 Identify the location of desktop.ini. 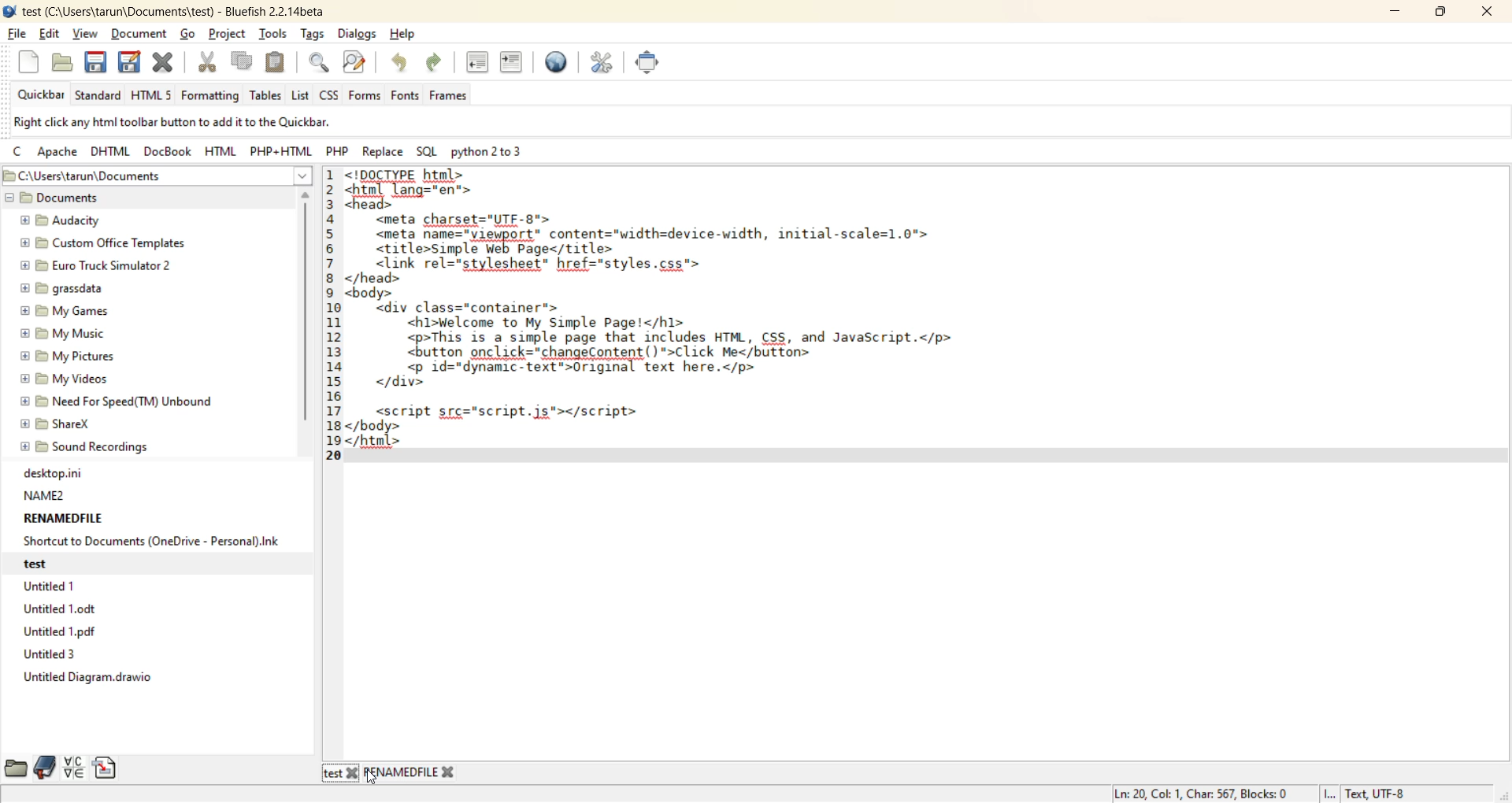
(58, 471).